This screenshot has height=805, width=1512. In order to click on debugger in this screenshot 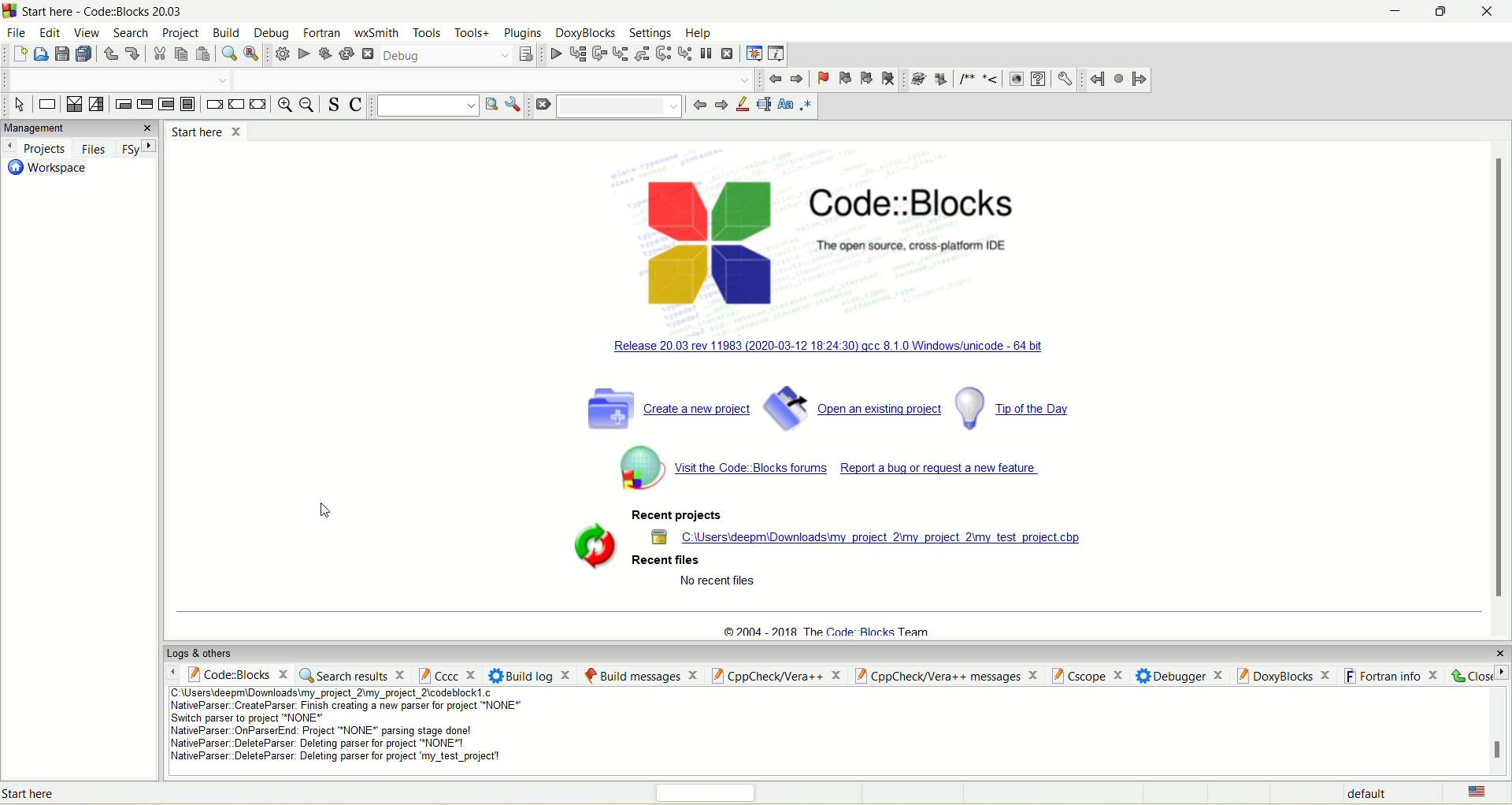, I will do `click(1185, 677)`.